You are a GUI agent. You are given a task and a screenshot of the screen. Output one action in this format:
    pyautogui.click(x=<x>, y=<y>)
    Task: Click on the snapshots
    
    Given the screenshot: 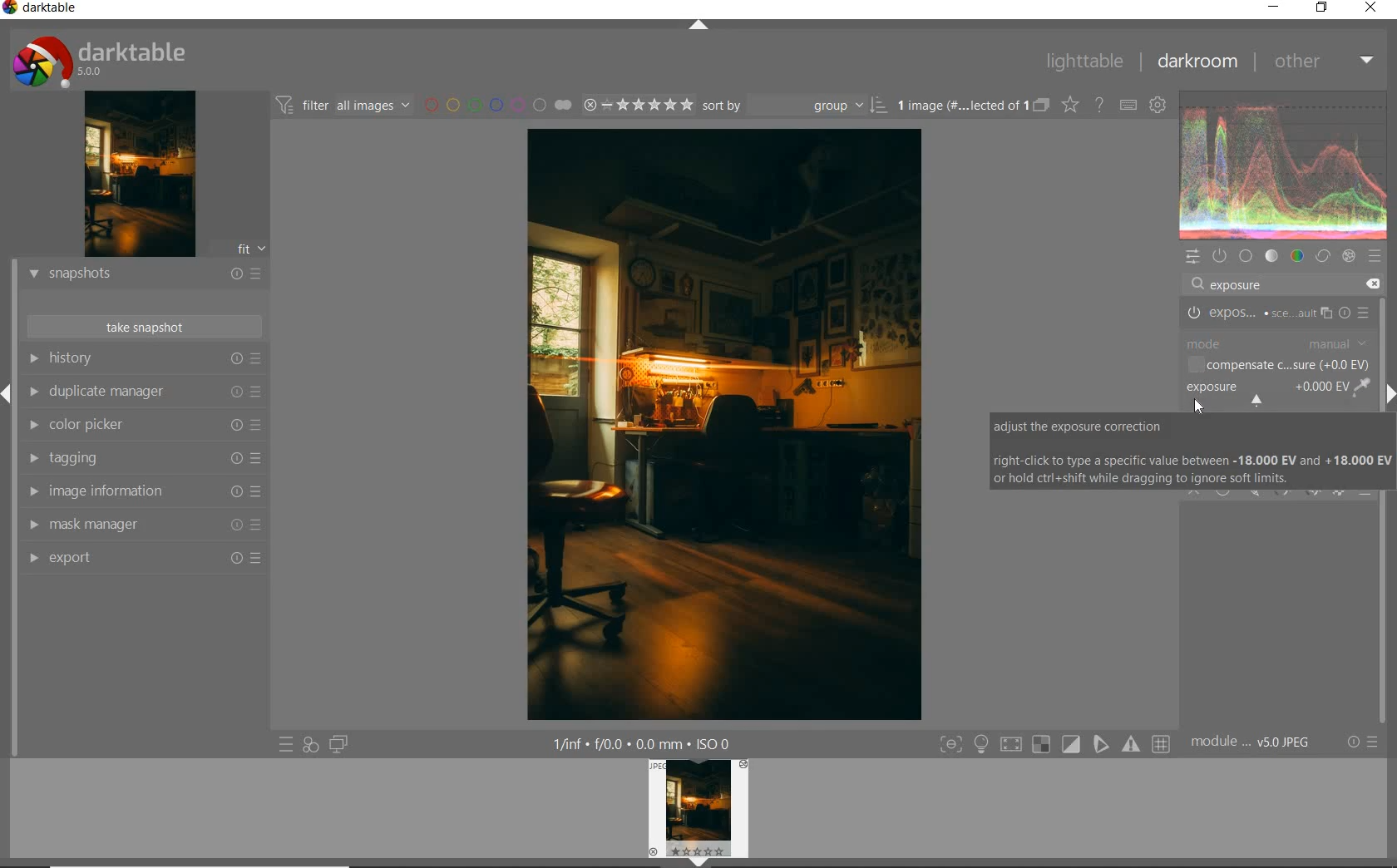 What is the action you would take?
    pyautogui.click(x=142, y=274)
    